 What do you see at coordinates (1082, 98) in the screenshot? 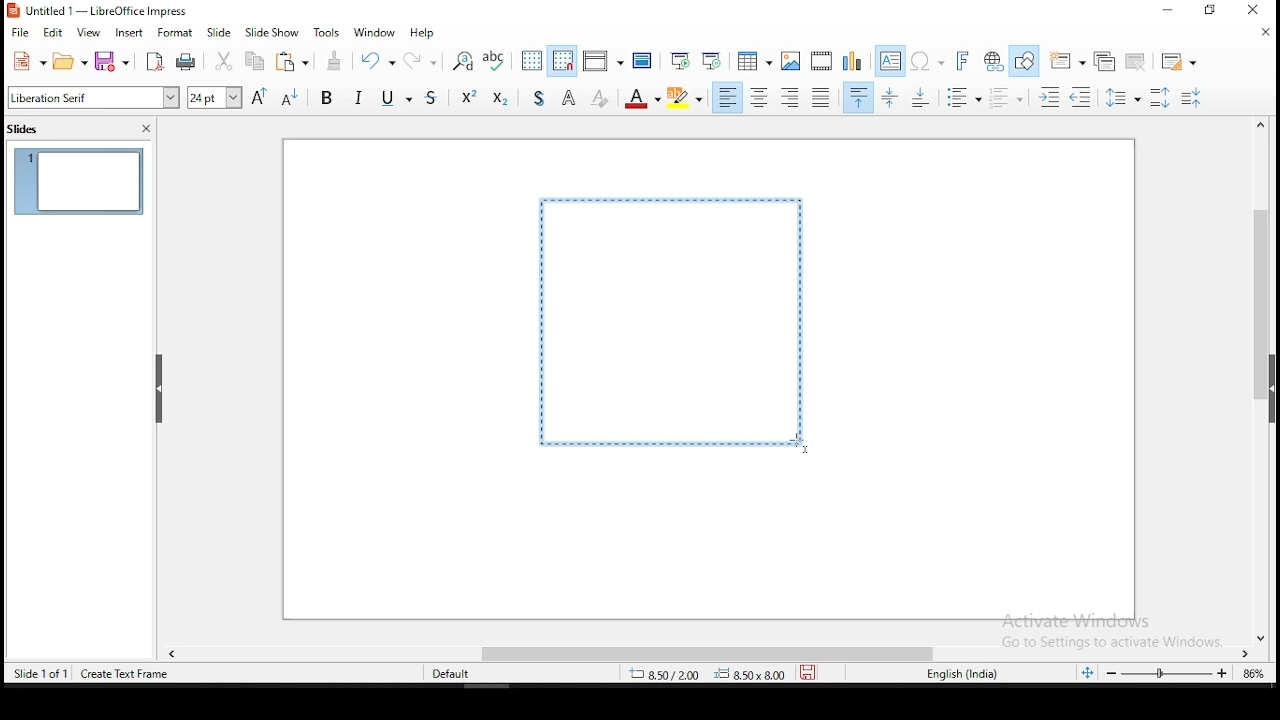
I see `decrease indent` at bounding box center [1082, 98].